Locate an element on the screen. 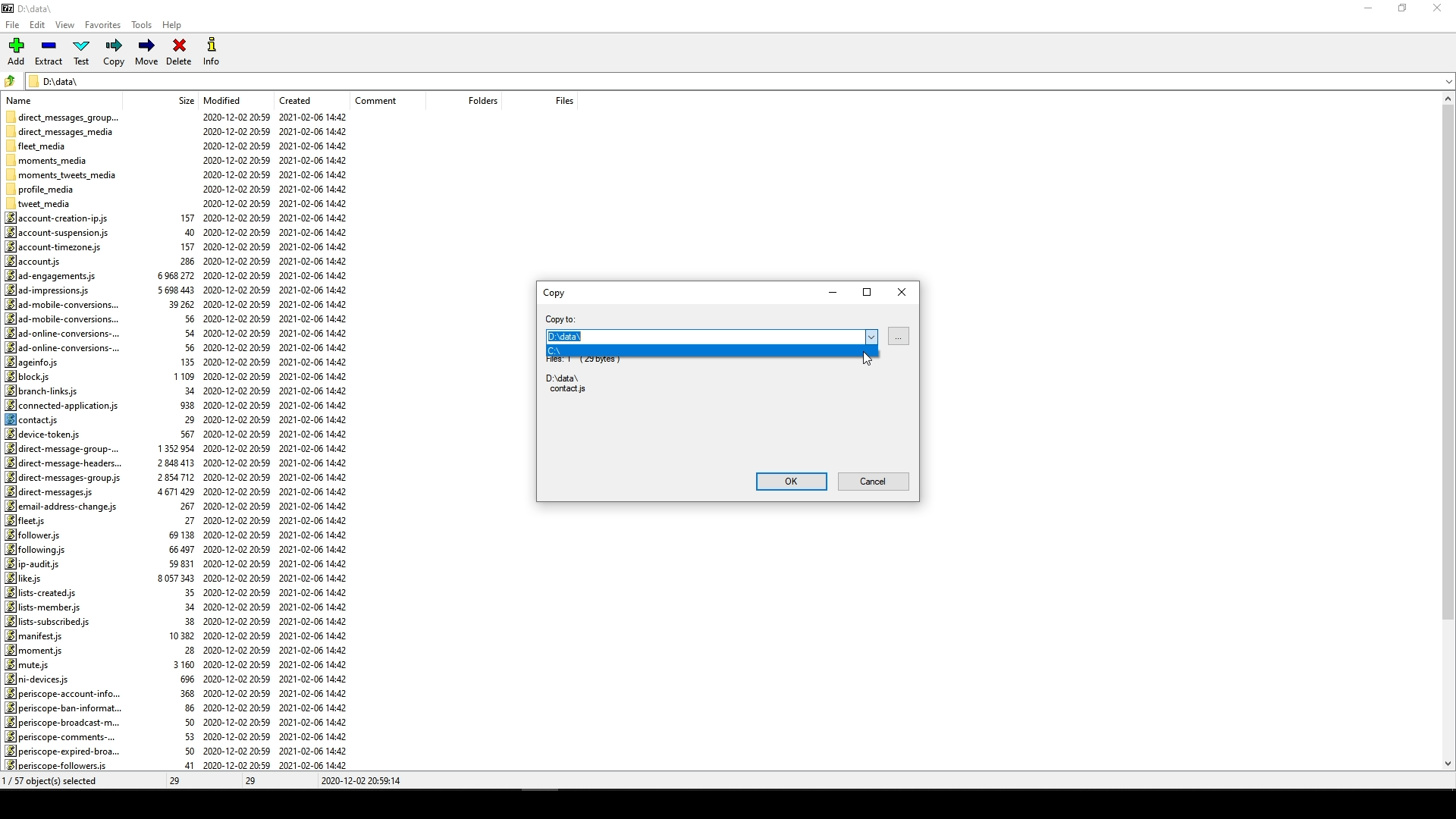  like.js is located at coordinates (28, 579).